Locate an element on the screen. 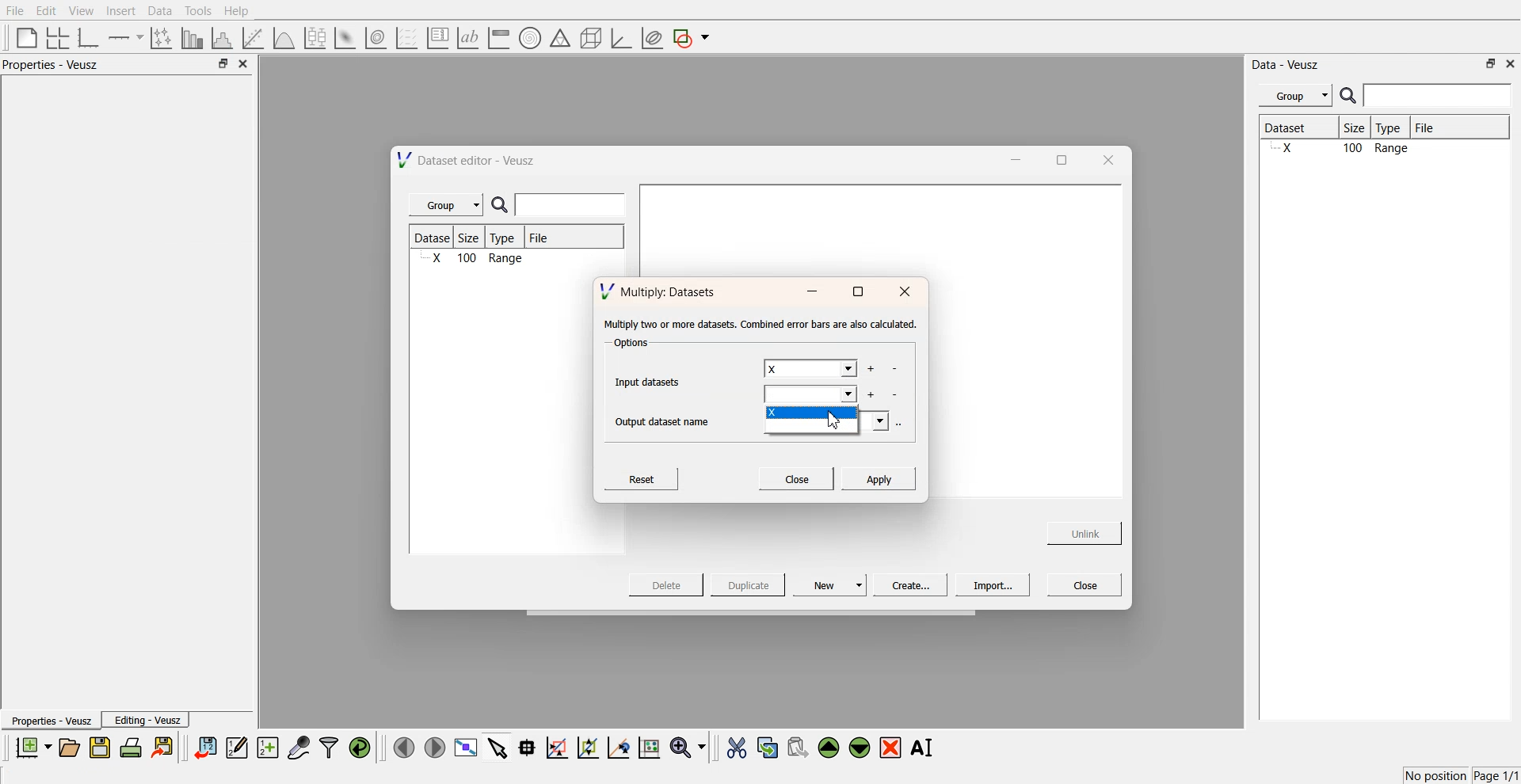 The image size is (1521, 784). cursor is located at coordinates (837, 423).